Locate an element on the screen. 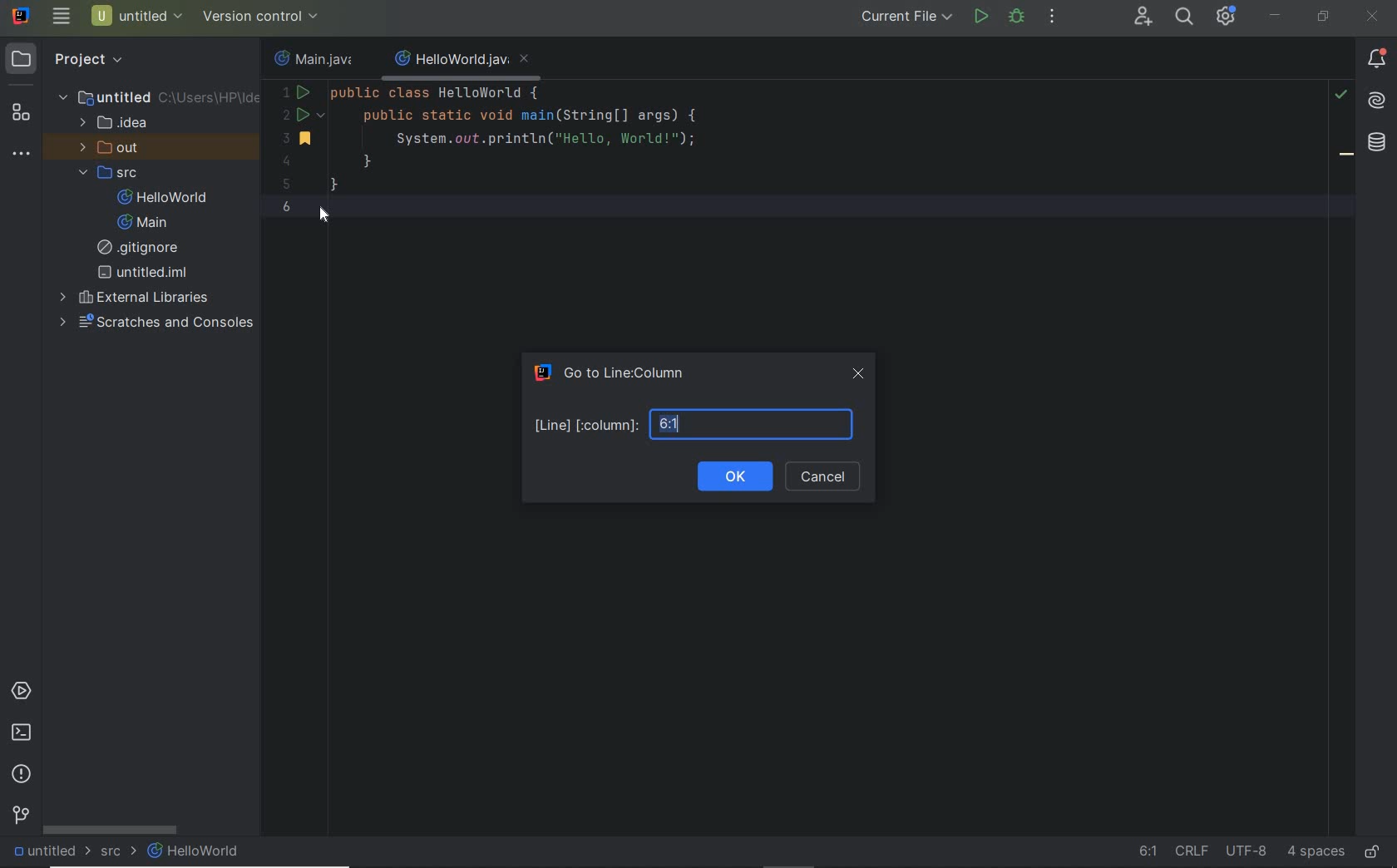 The width and height of the screenshot is (1397, 868). untitled is located at coordinates (48, 852).